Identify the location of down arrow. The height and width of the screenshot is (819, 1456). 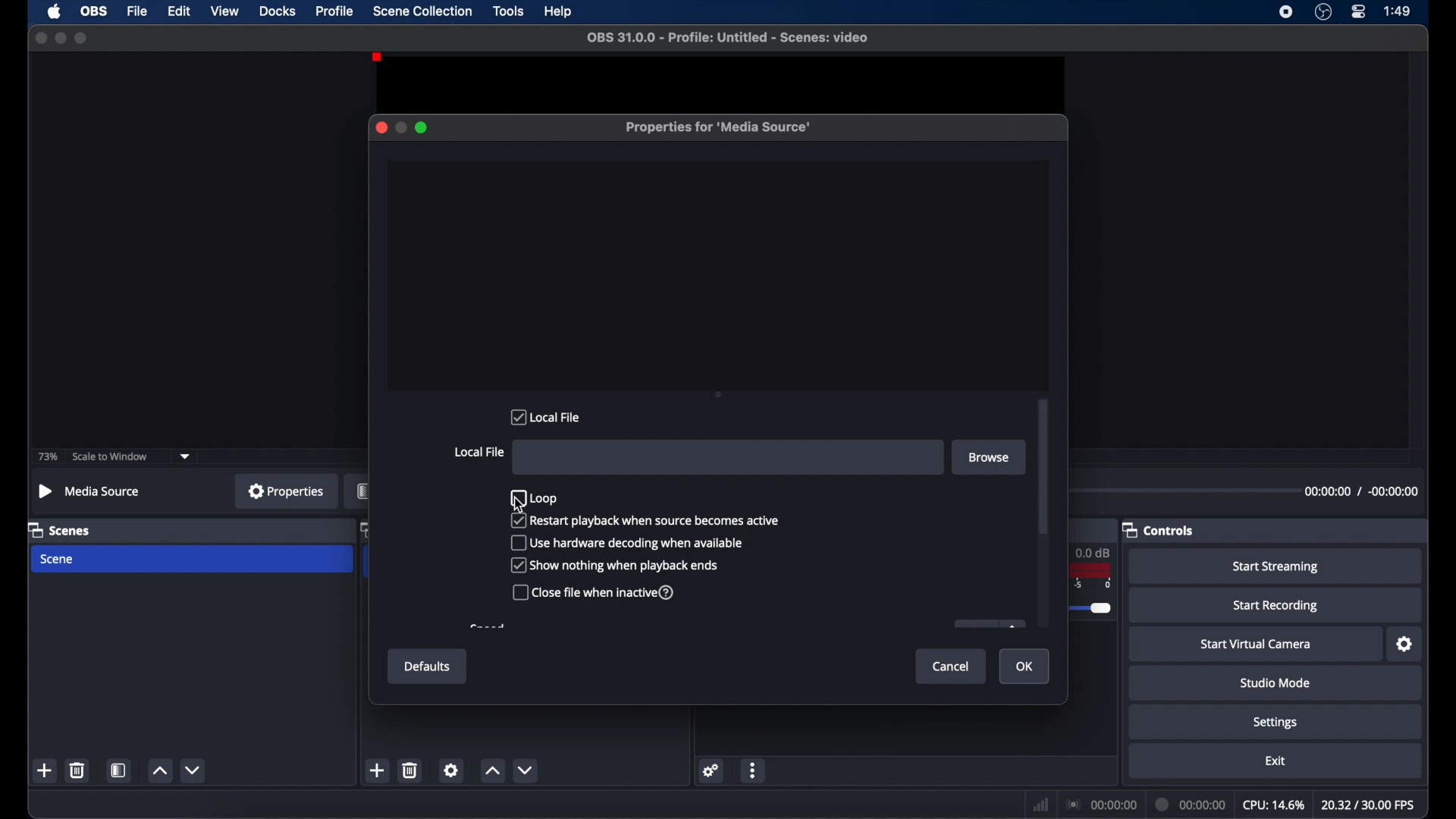
(188, 459).